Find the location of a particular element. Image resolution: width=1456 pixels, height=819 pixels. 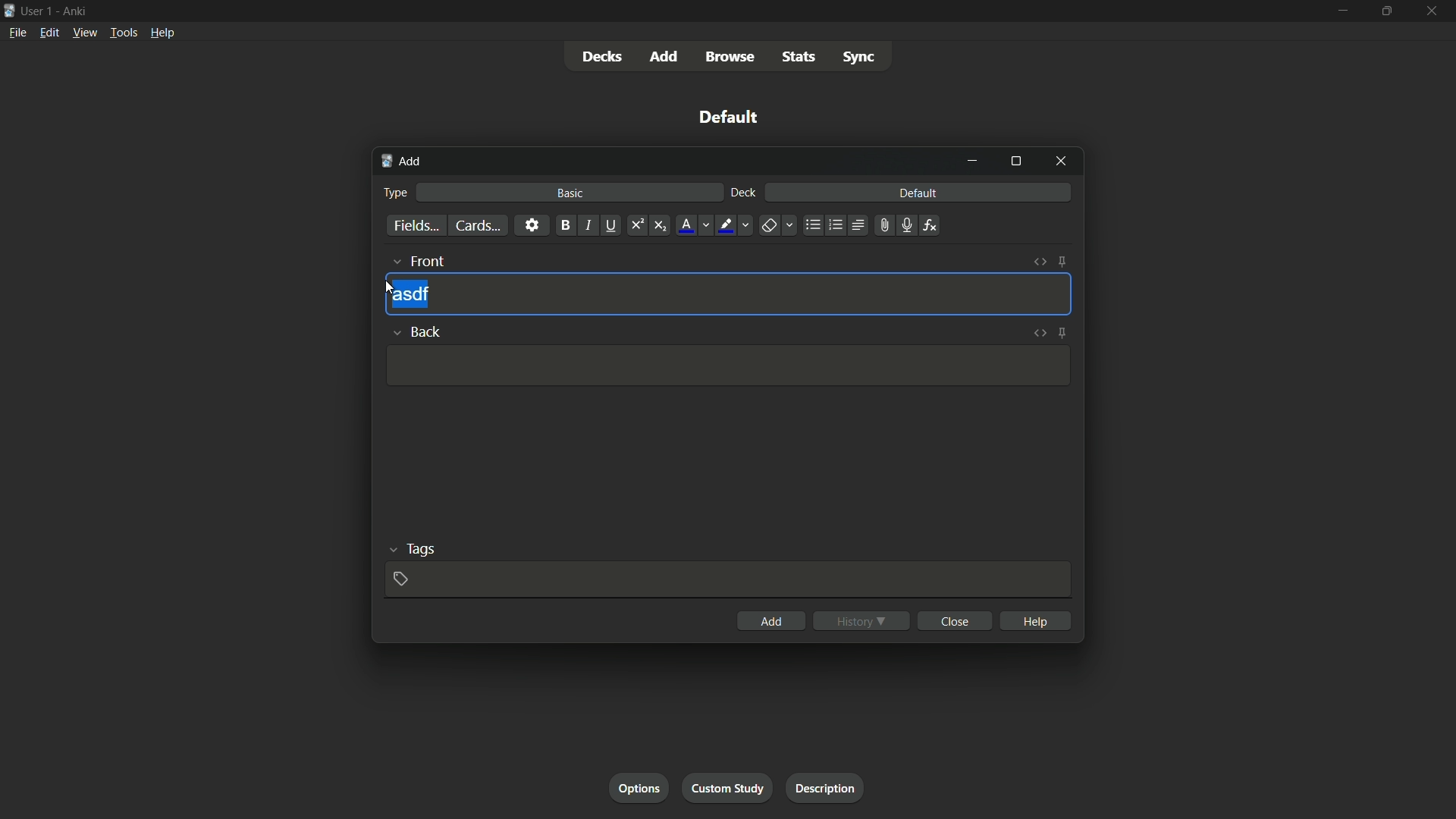

user-1 is located at coordinates (37, 9).